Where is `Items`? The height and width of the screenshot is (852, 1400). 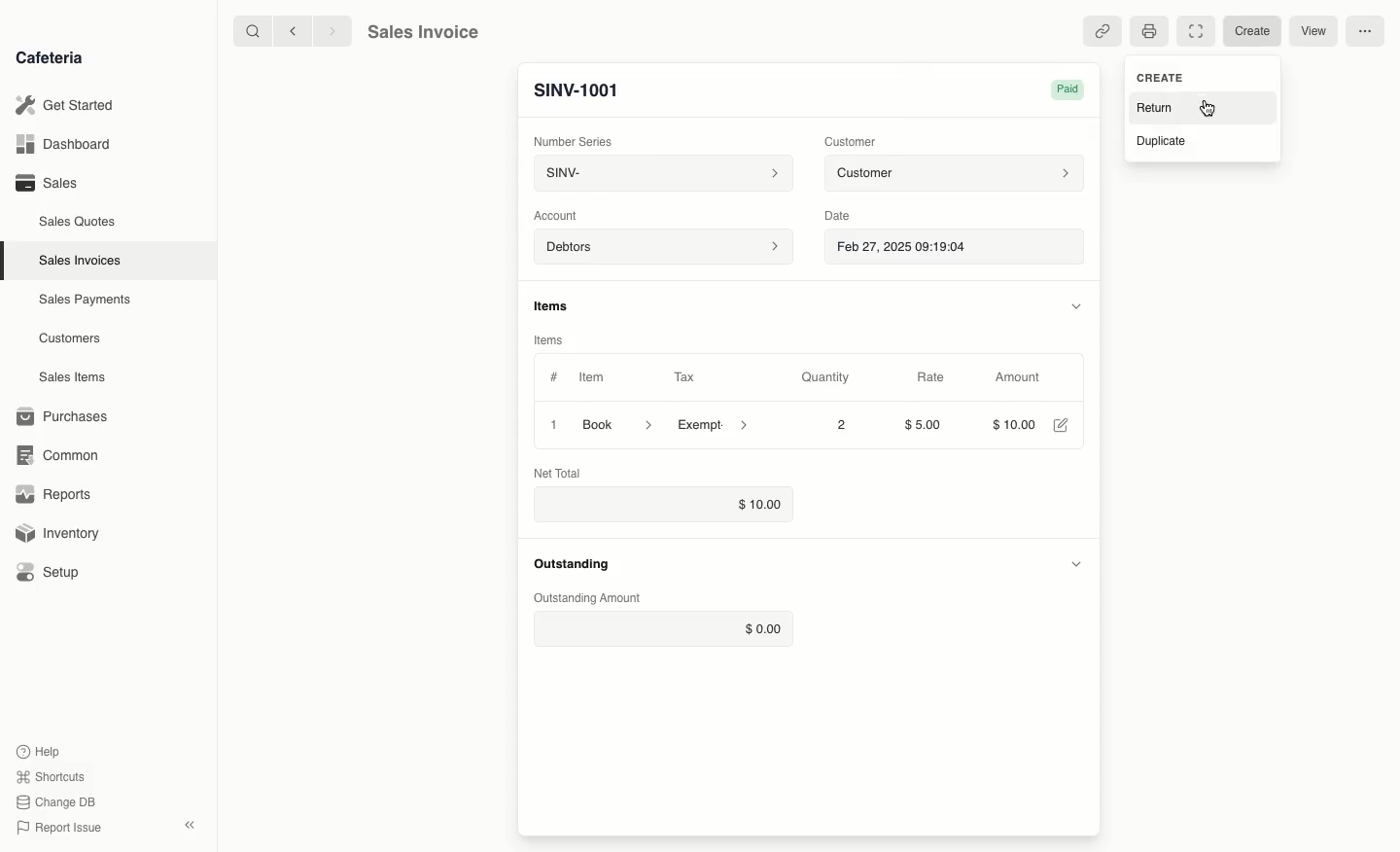 Items is located at coordinates (554, 305).